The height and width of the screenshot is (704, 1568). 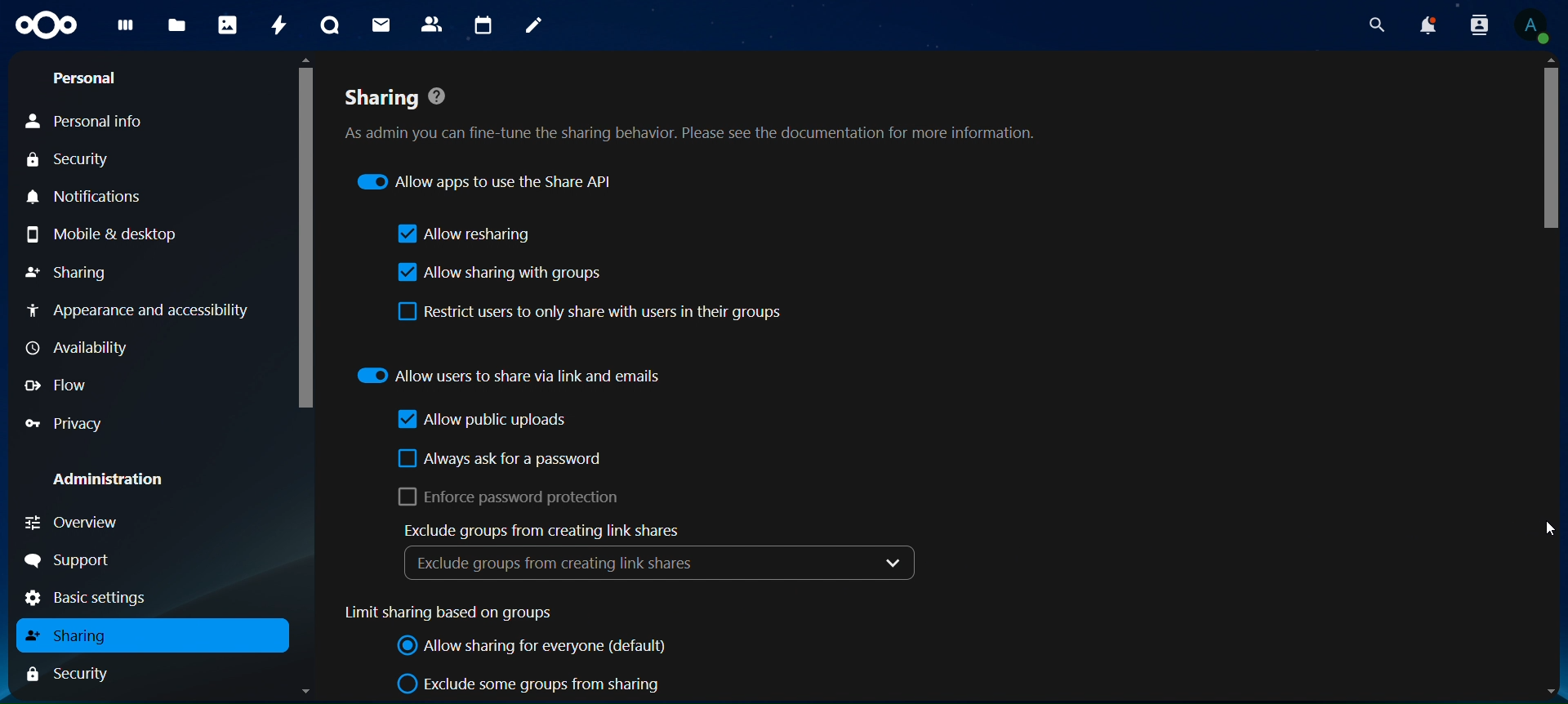 I want to click on privacy, so click(x=69, y=421).